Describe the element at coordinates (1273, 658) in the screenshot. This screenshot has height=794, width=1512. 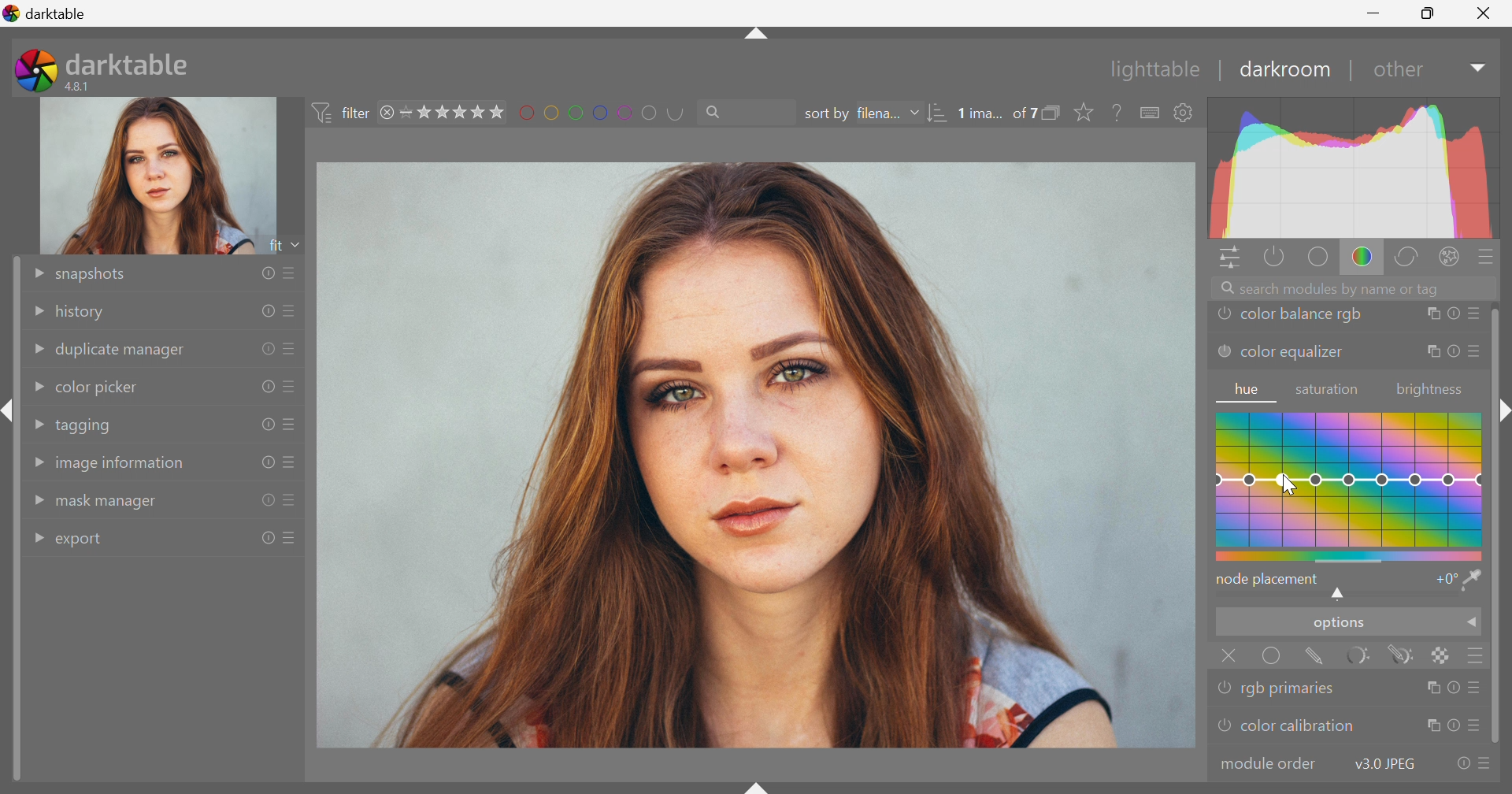
I see `uniformly` at that location.